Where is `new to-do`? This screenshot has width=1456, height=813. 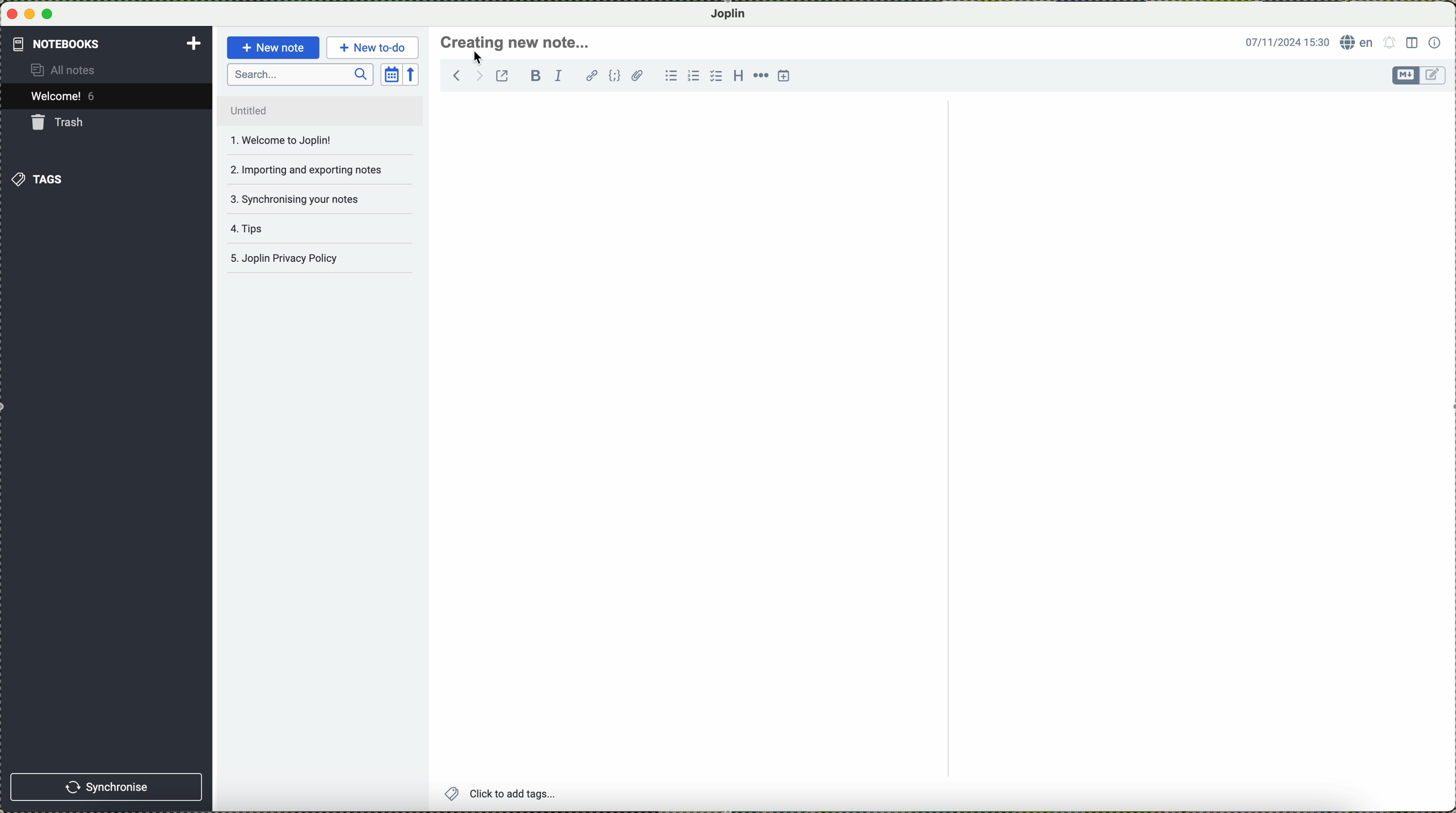
new to-do is located at coordinates (372, 46).